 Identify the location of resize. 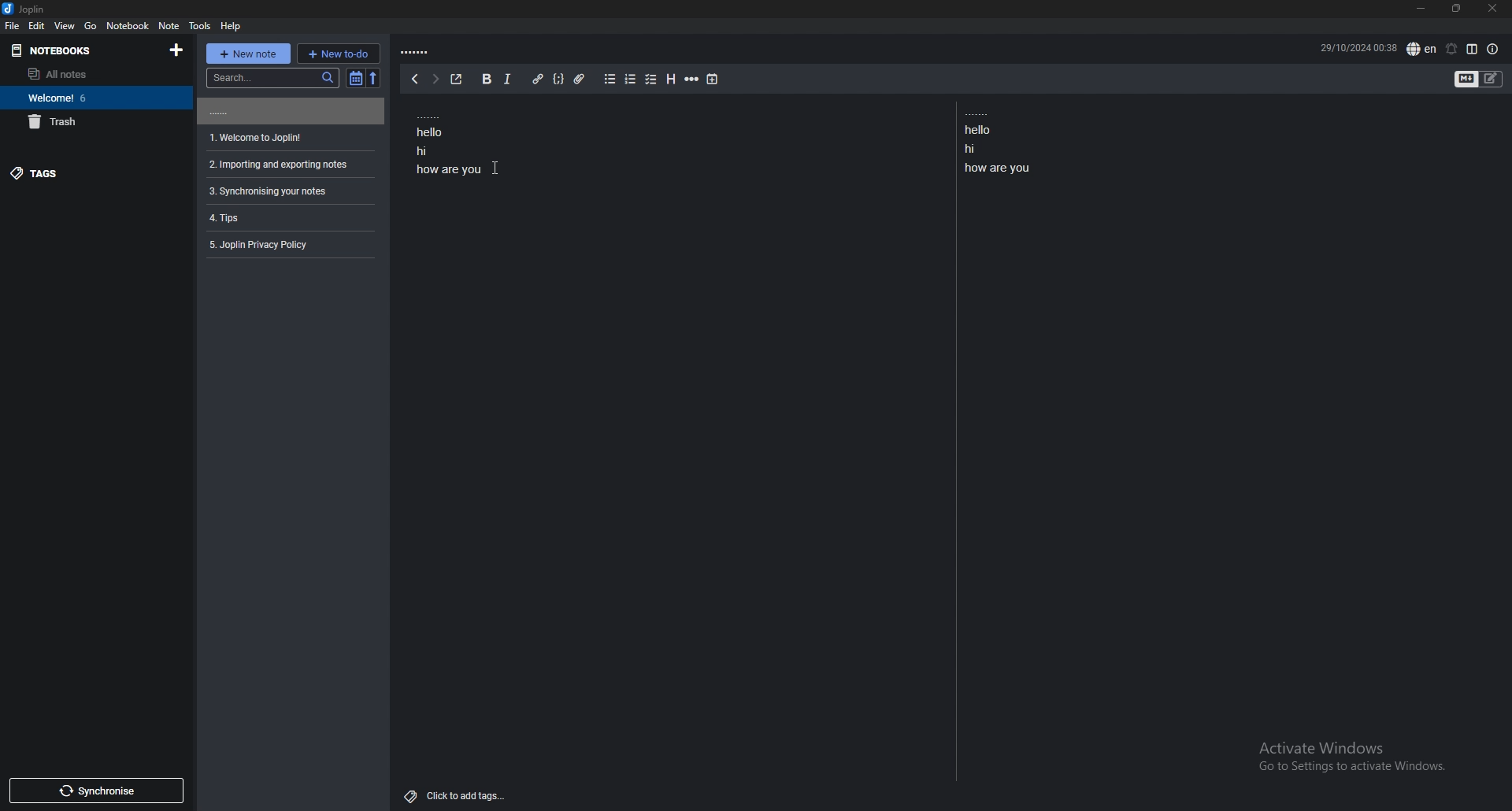
(1457, 9).